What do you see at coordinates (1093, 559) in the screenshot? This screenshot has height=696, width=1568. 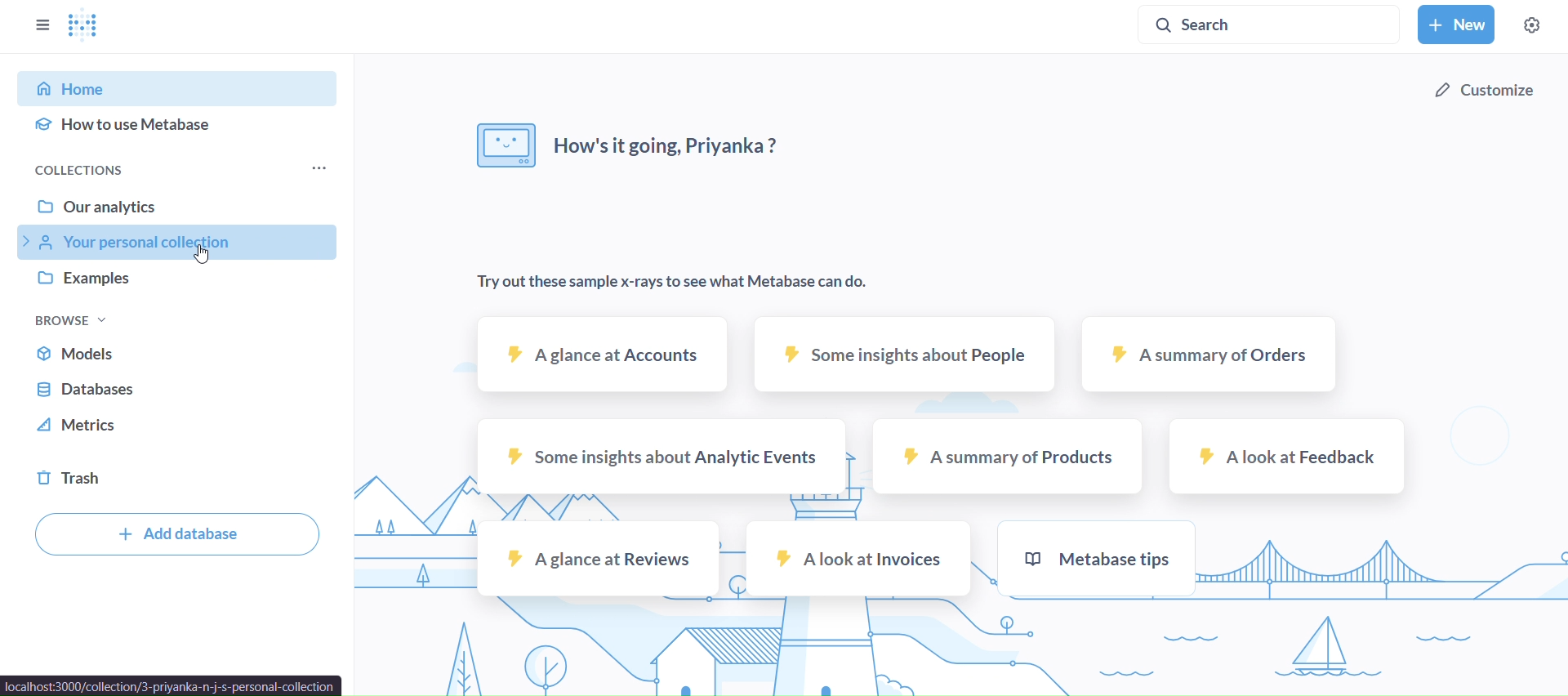 I see `metabase tips` at bounding box center [1093, 559].